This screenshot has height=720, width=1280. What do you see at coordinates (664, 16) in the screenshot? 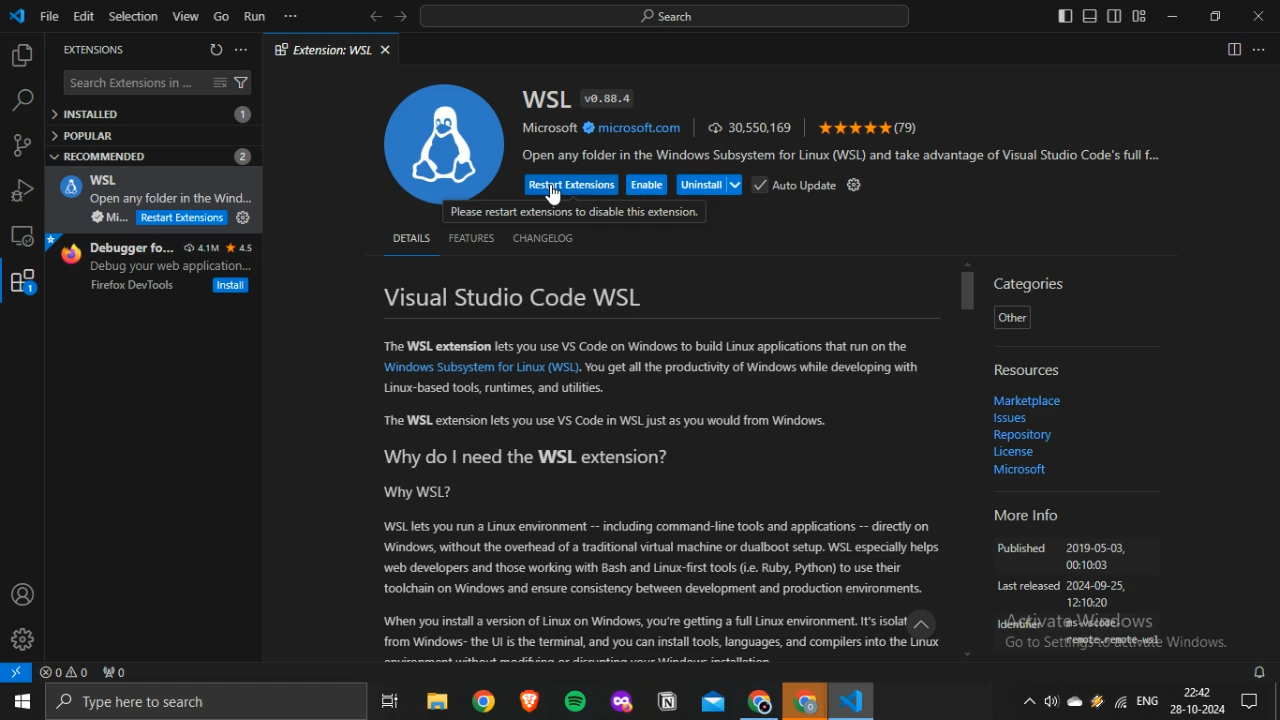
I see `search` at bounding box center [664, 16].